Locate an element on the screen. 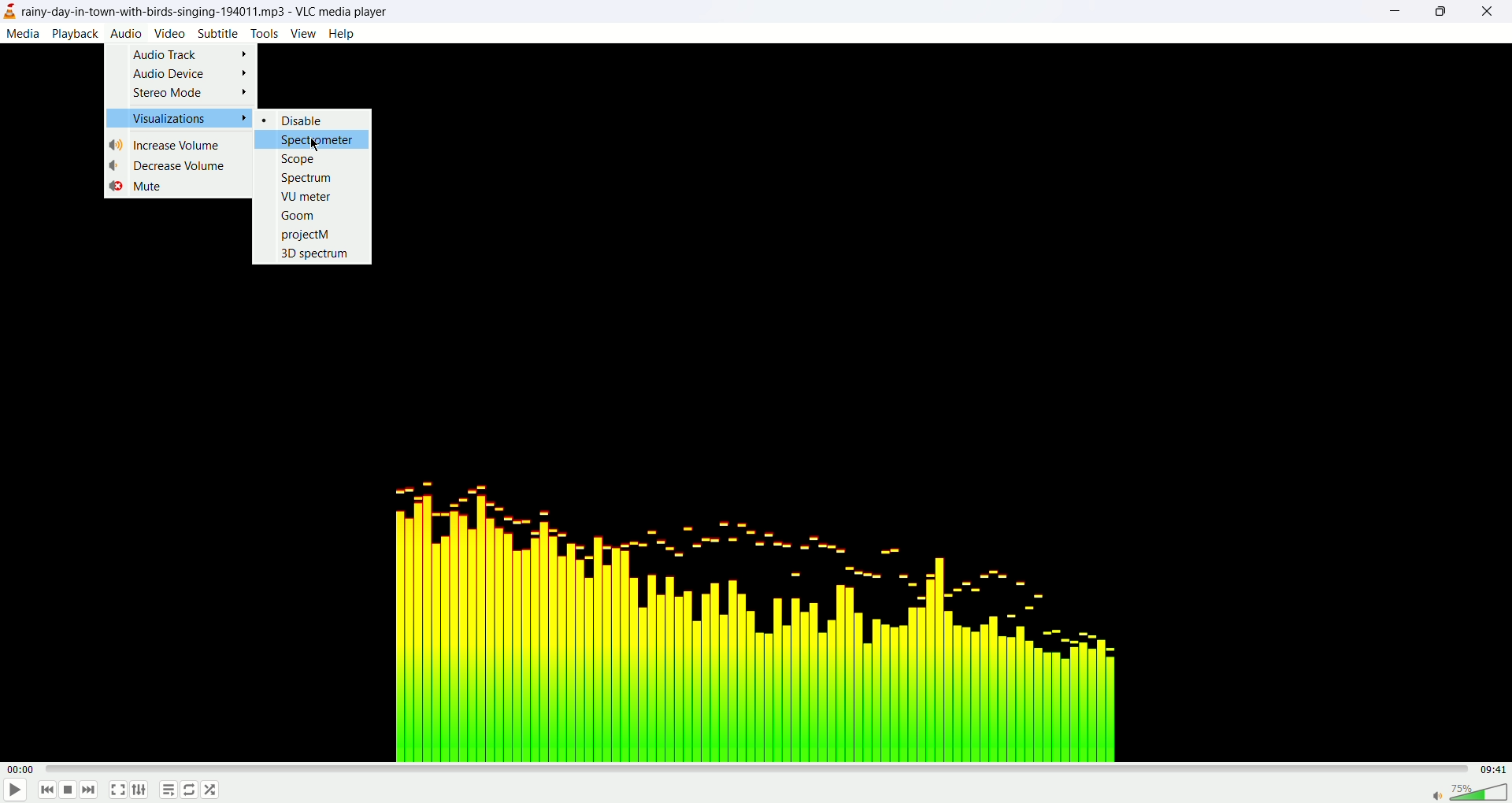 The height and width of the screenshot is (803, 1512). loop is located at coordinates (190, 789).